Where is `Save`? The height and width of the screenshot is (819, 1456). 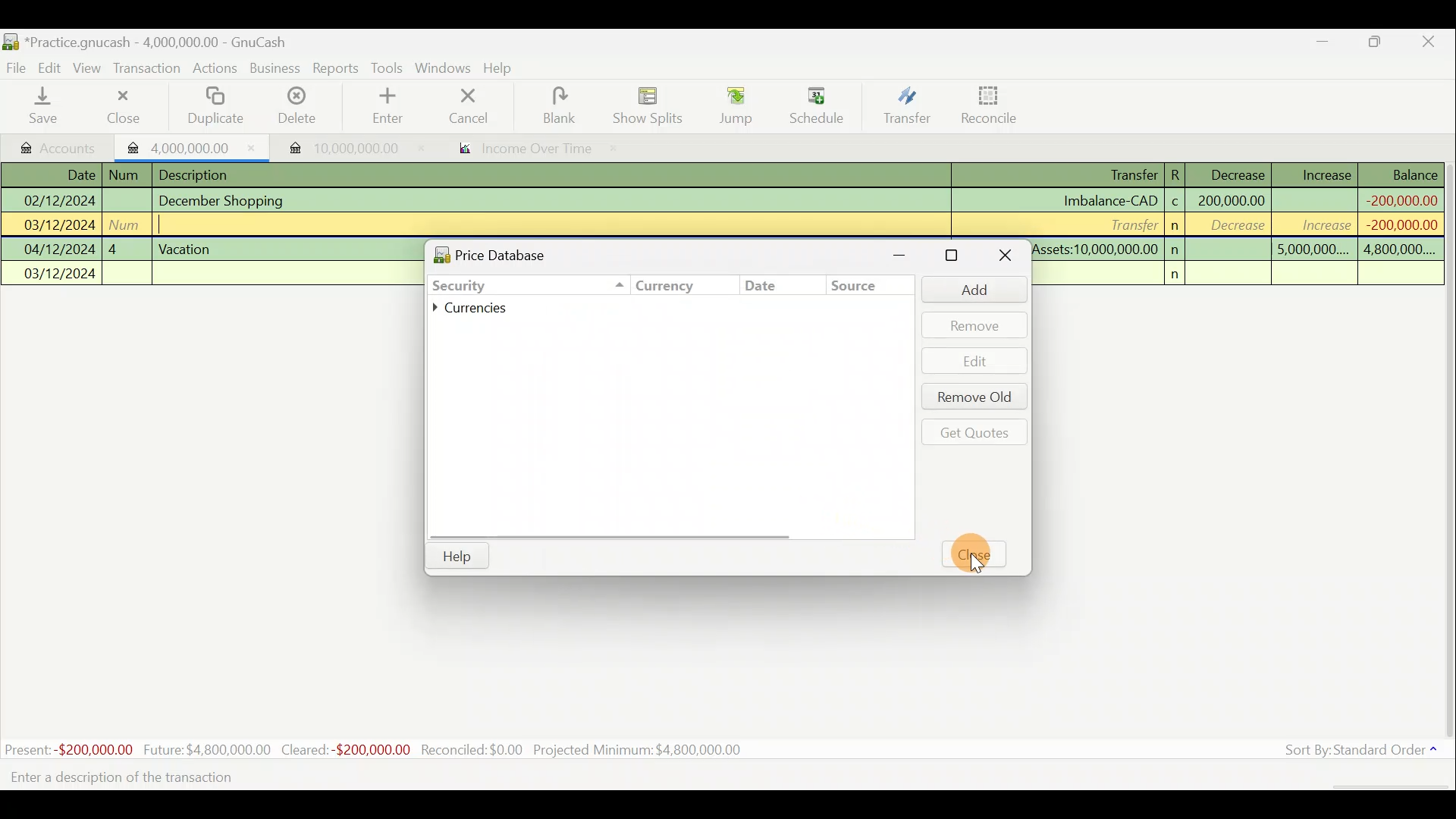 Save is located at coordinates (46, 107).